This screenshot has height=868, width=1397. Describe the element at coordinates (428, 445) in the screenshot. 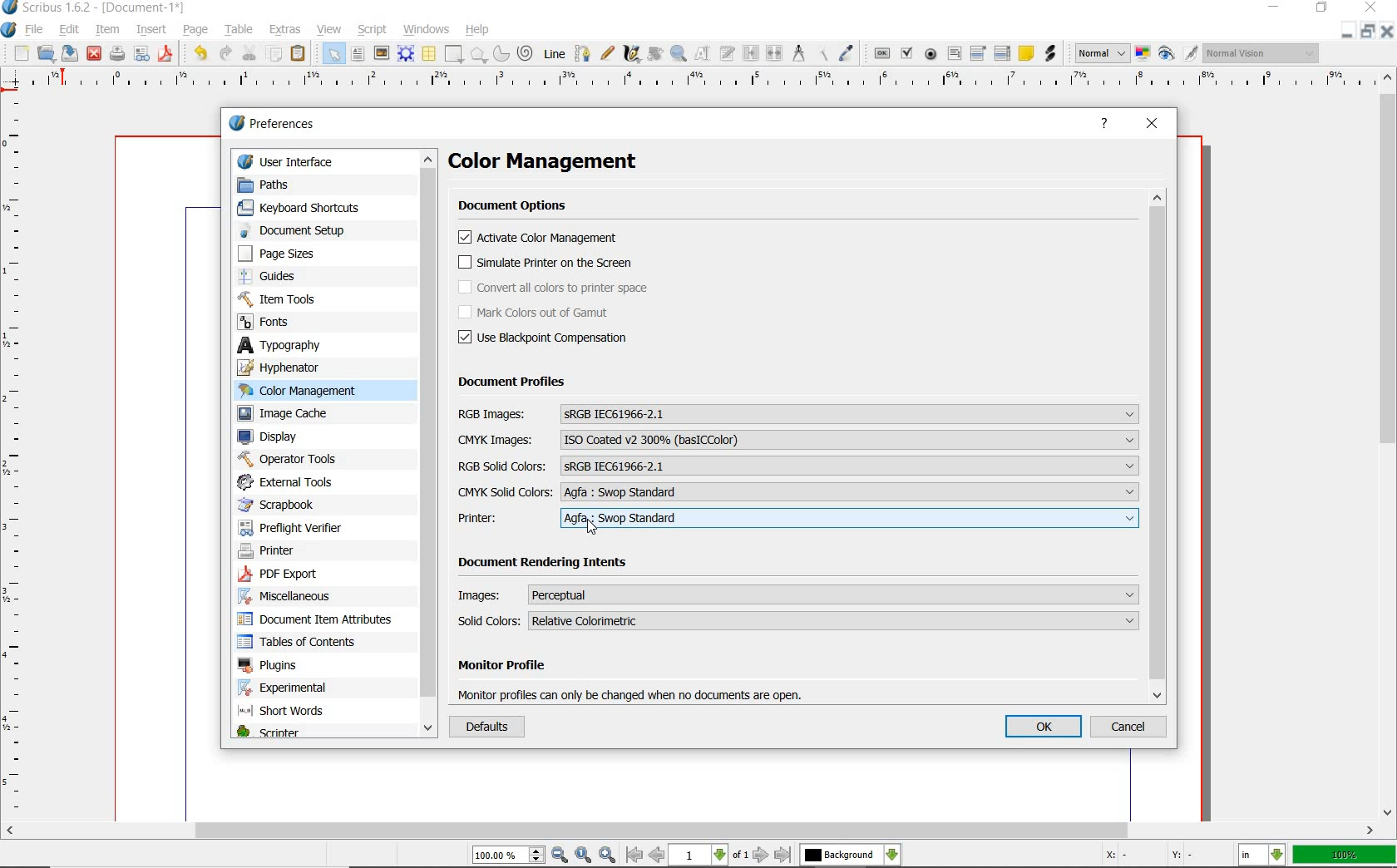

I see `scrollbar` at that location.